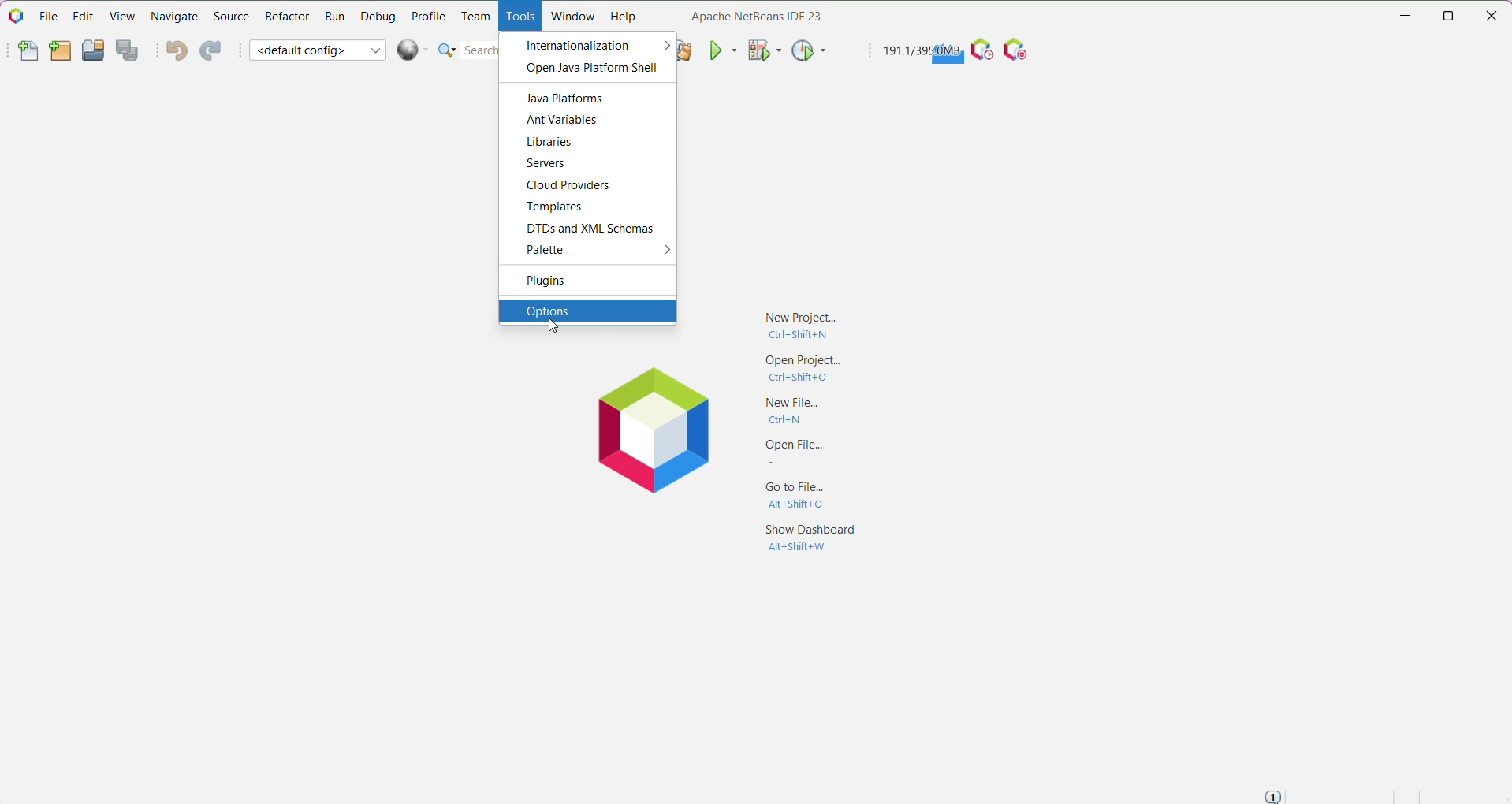  I want to click on Open Project, so click(93, 50).